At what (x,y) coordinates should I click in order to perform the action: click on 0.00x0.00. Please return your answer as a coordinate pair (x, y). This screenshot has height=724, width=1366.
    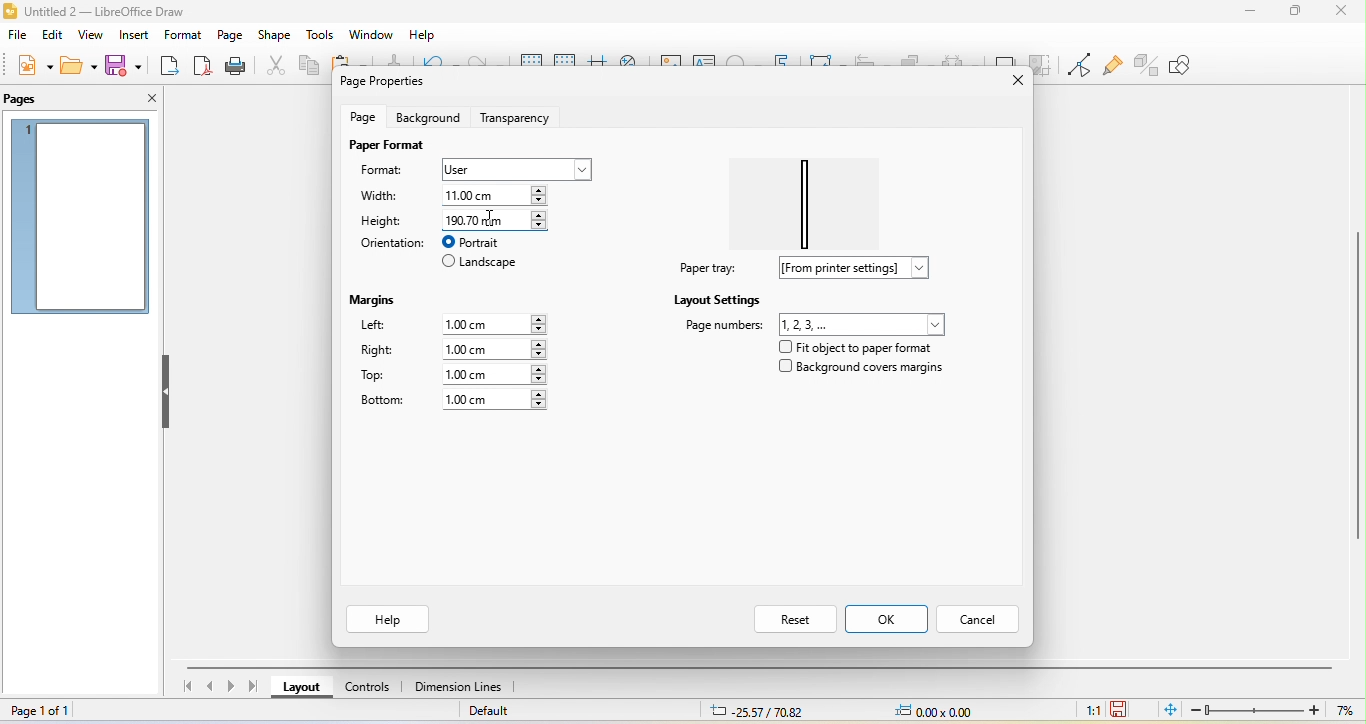
    Looking at the image, I should click on (933, 710).